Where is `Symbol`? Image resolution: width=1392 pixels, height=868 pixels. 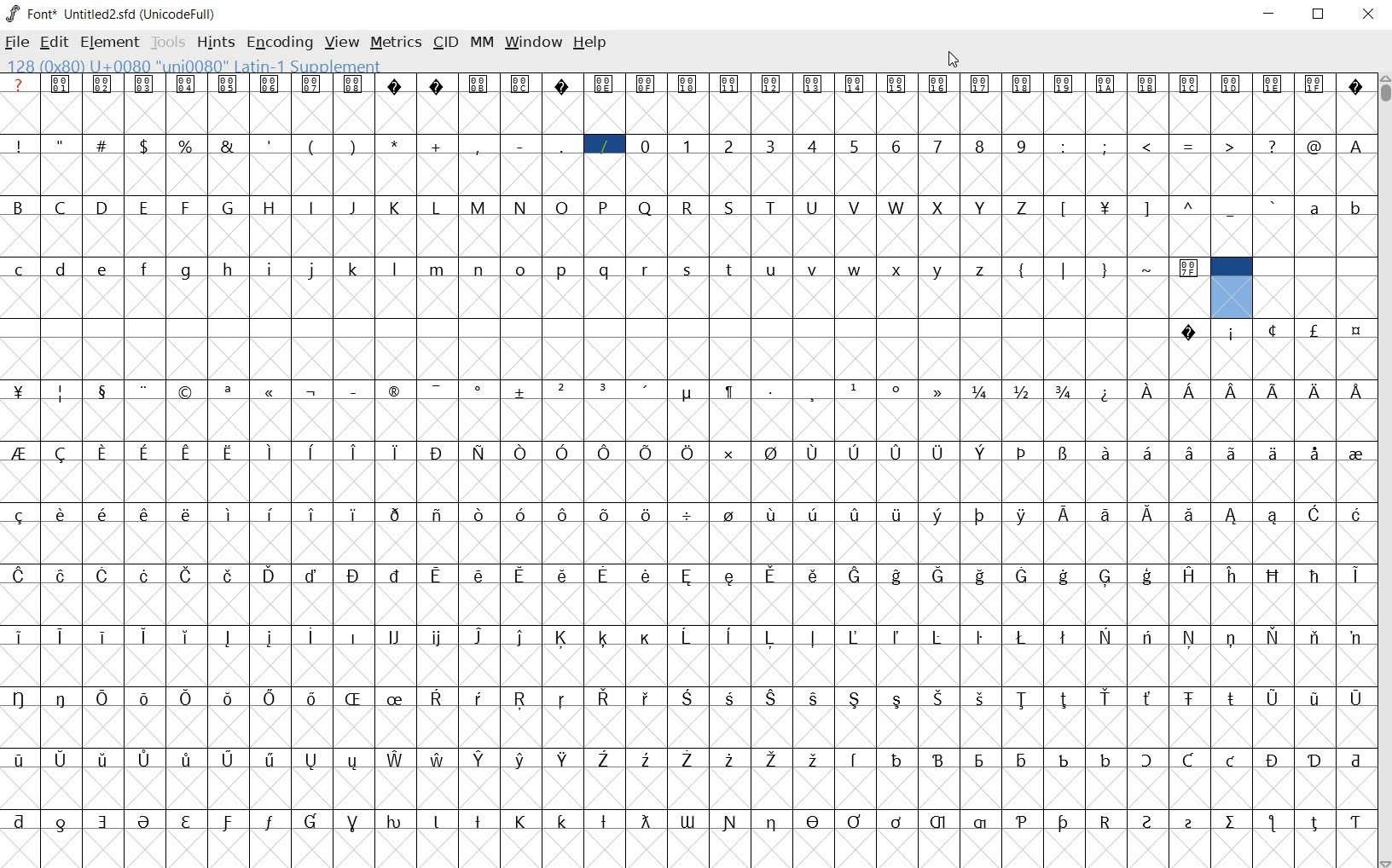
Symbol is located at coordinates (20, 819).